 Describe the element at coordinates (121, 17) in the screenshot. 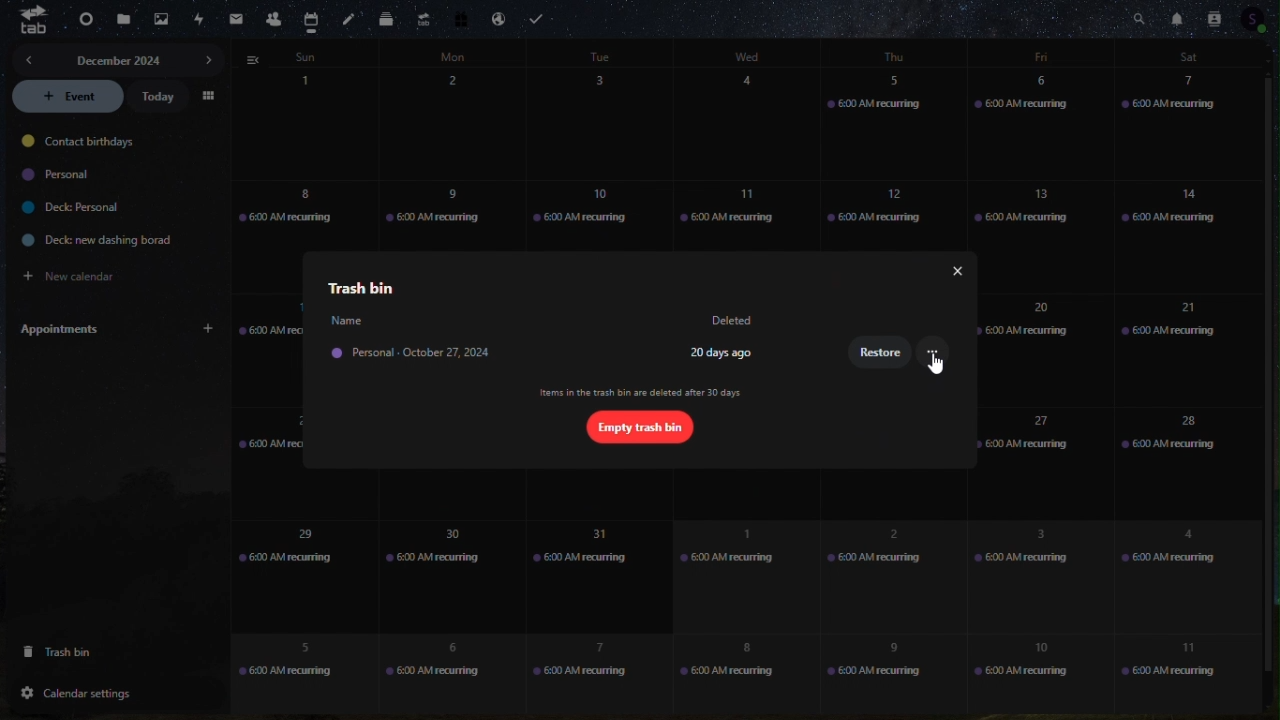

I see `files` at that location.